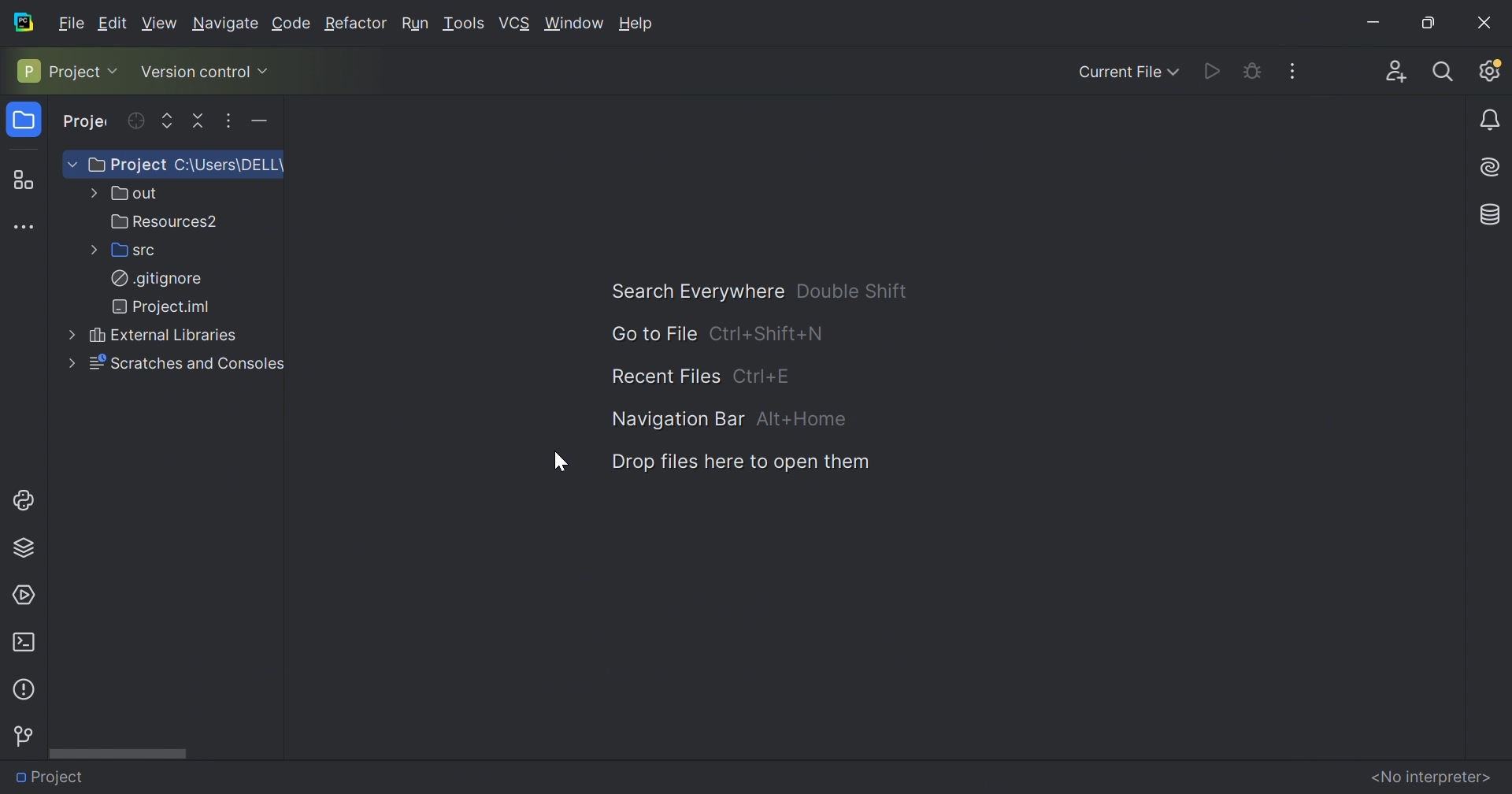 This screenshot has width=1512, height=794. I want to click on External Libraries, so click(160, 336).